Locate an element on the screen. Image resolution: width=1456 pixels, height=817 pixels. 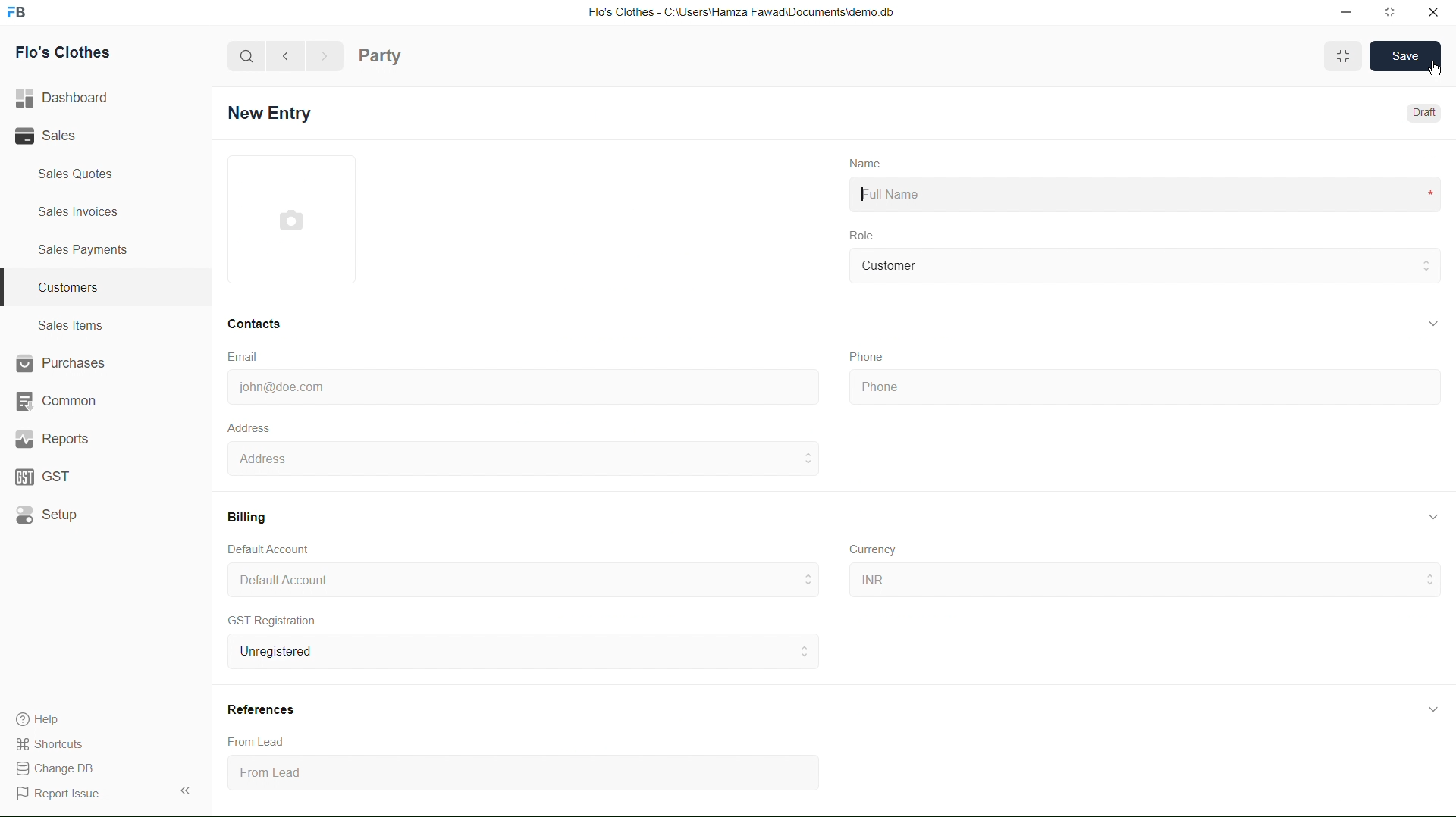
Shortcuts is located at coordinates (59, 743).